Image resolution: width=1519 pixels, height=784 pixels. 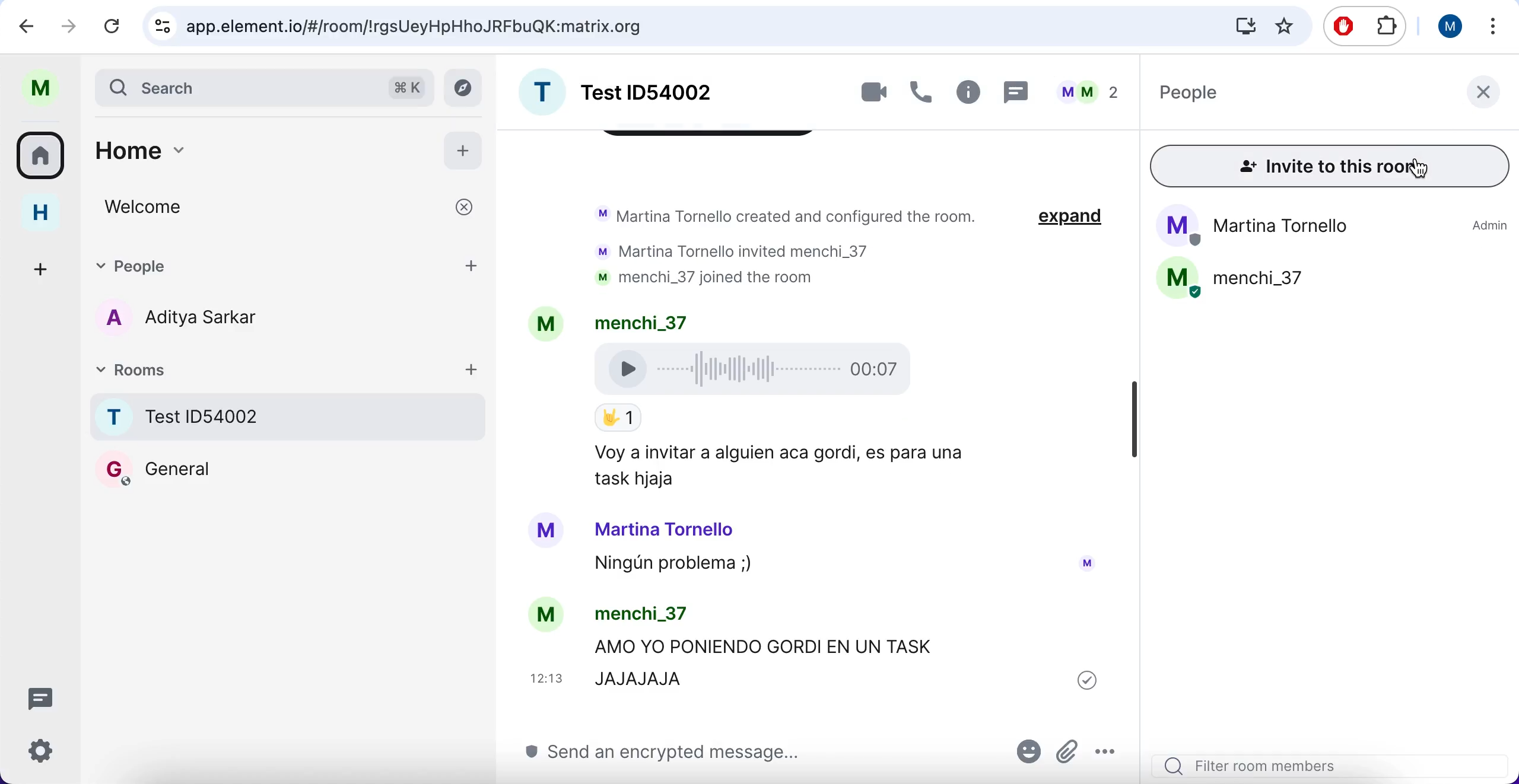 I want to click on menchi_37, so click(x=646, y=320).